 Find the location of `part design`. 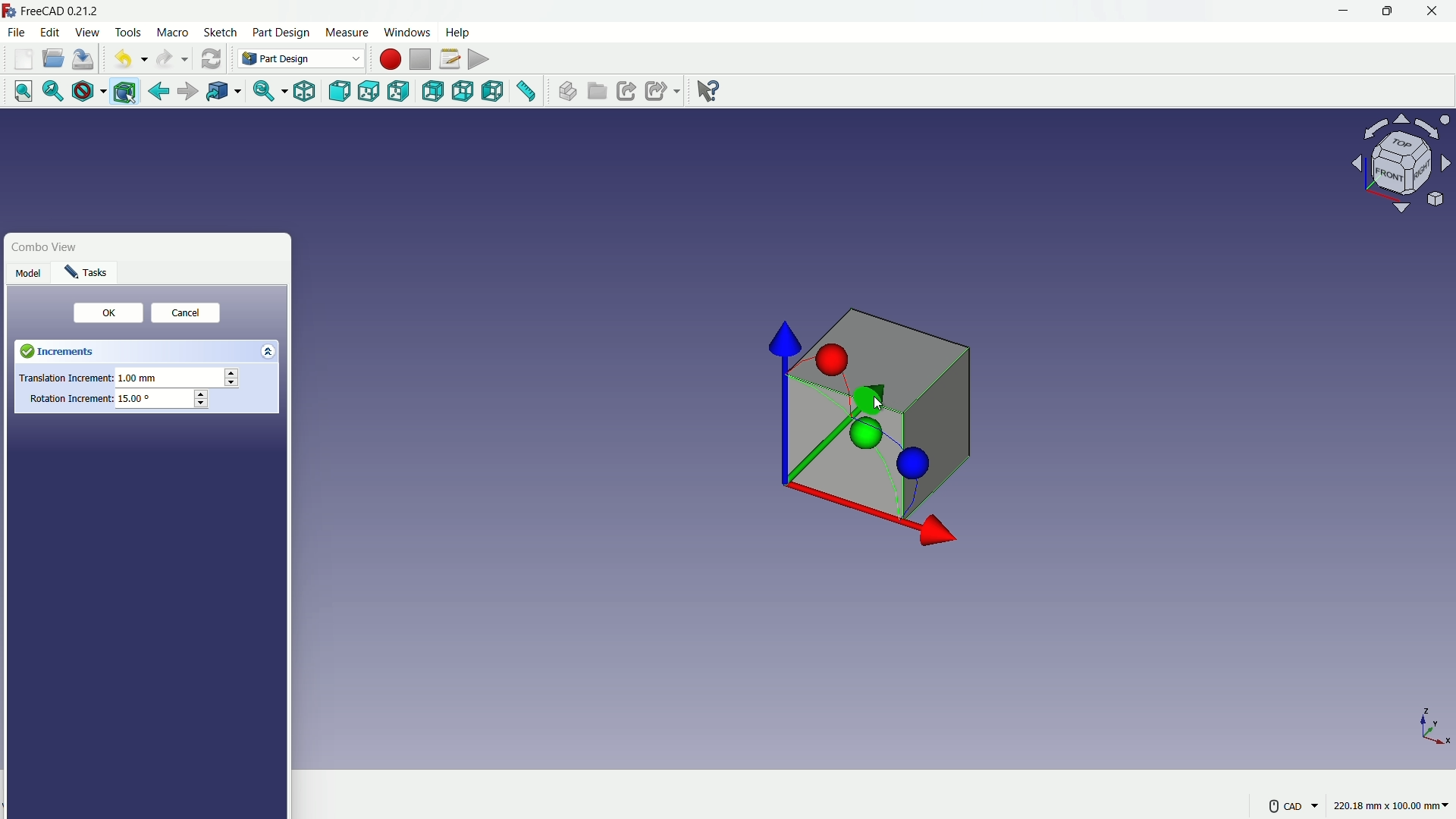

part design is located at coordinates (281, 33).